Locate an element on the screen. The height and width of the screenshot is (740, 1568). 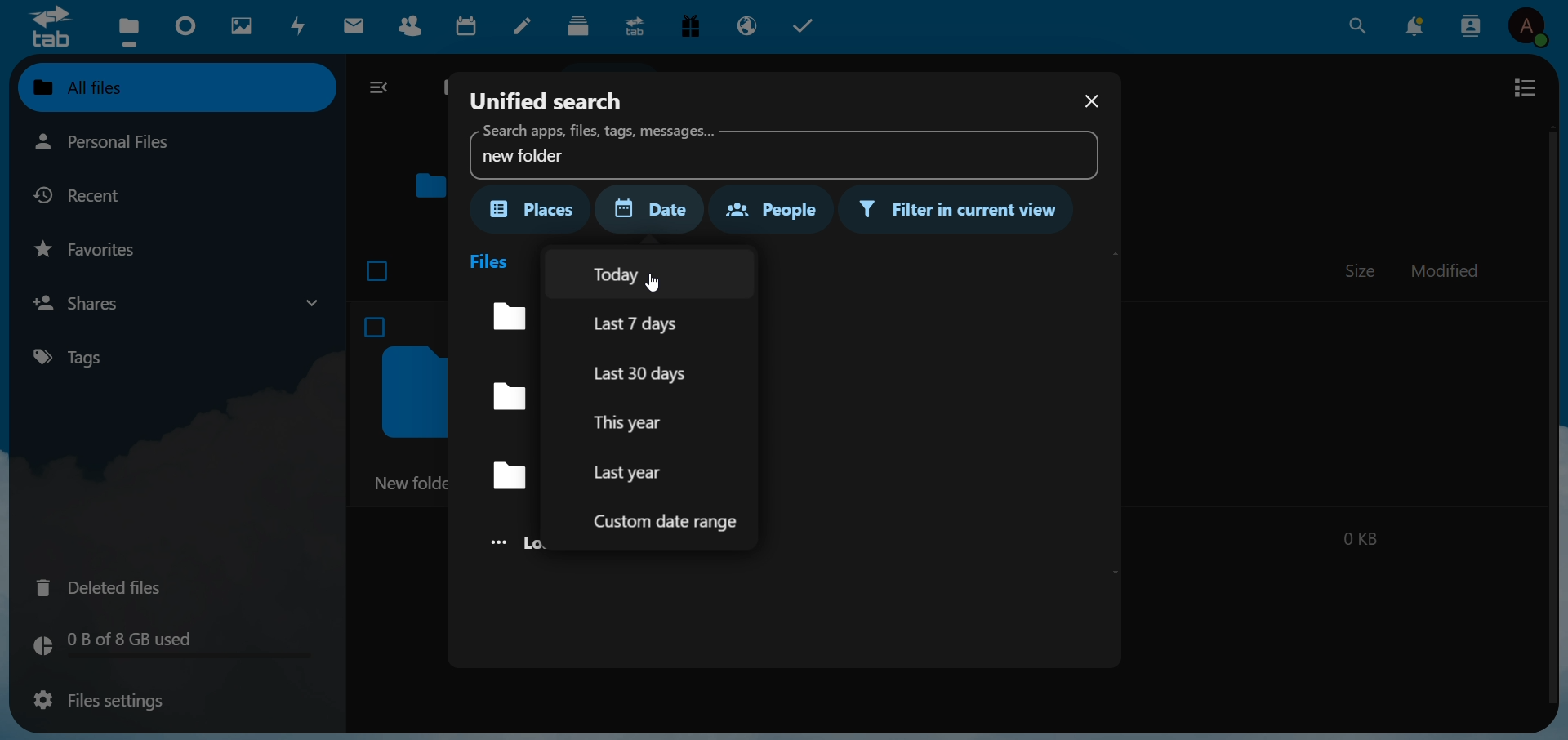
favorites is located at coordinates (94, 248).